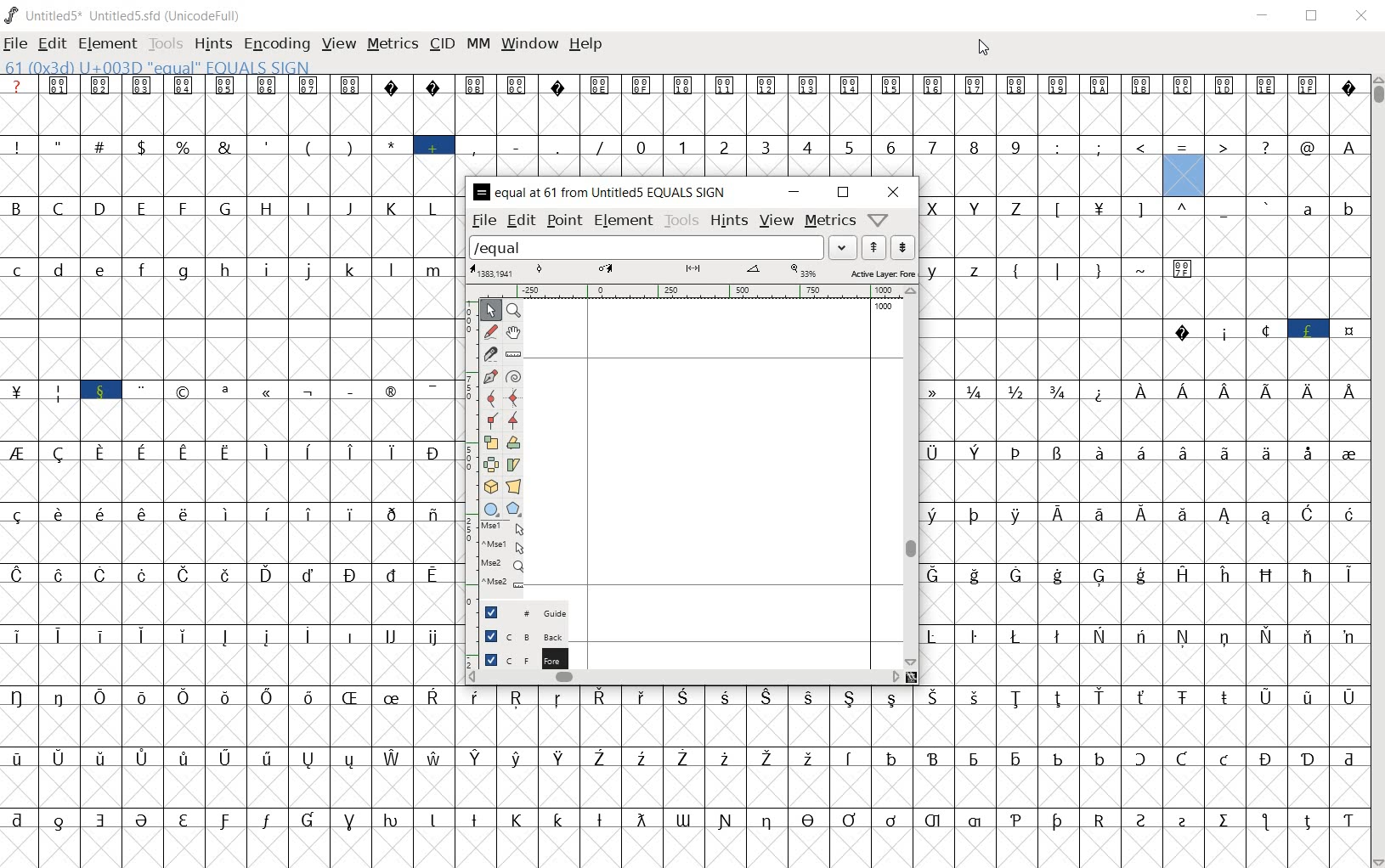  What do you see at coordinates (515, 353) in the screenshot?
I see `measure a distance, angle between points` at bounding box center [515, 353].